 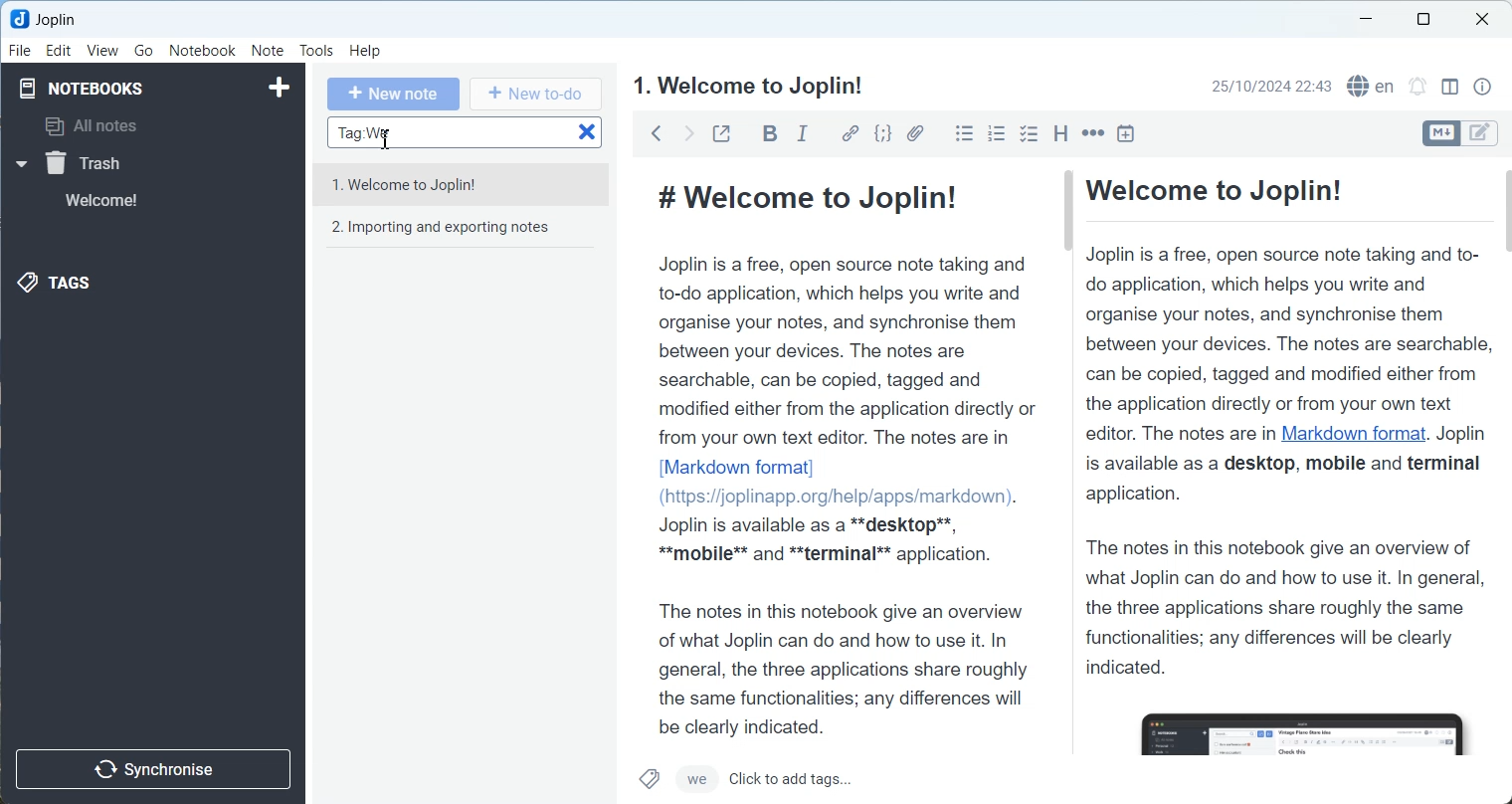 I want to click on Horizontal Rule, so click(x=1093, y=132).